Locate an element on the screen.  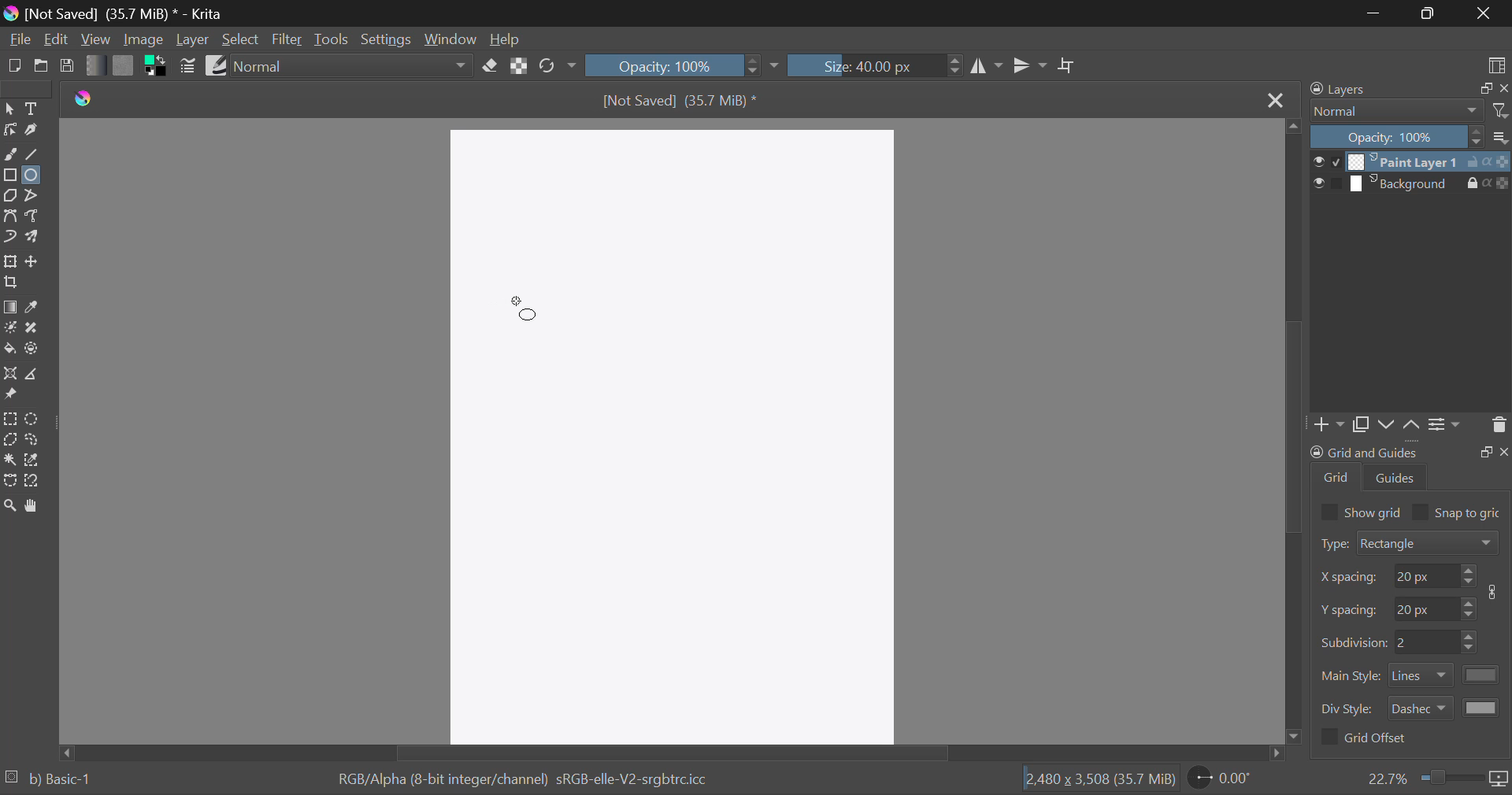
Edit Shapes is located at coordinates (9, 129).